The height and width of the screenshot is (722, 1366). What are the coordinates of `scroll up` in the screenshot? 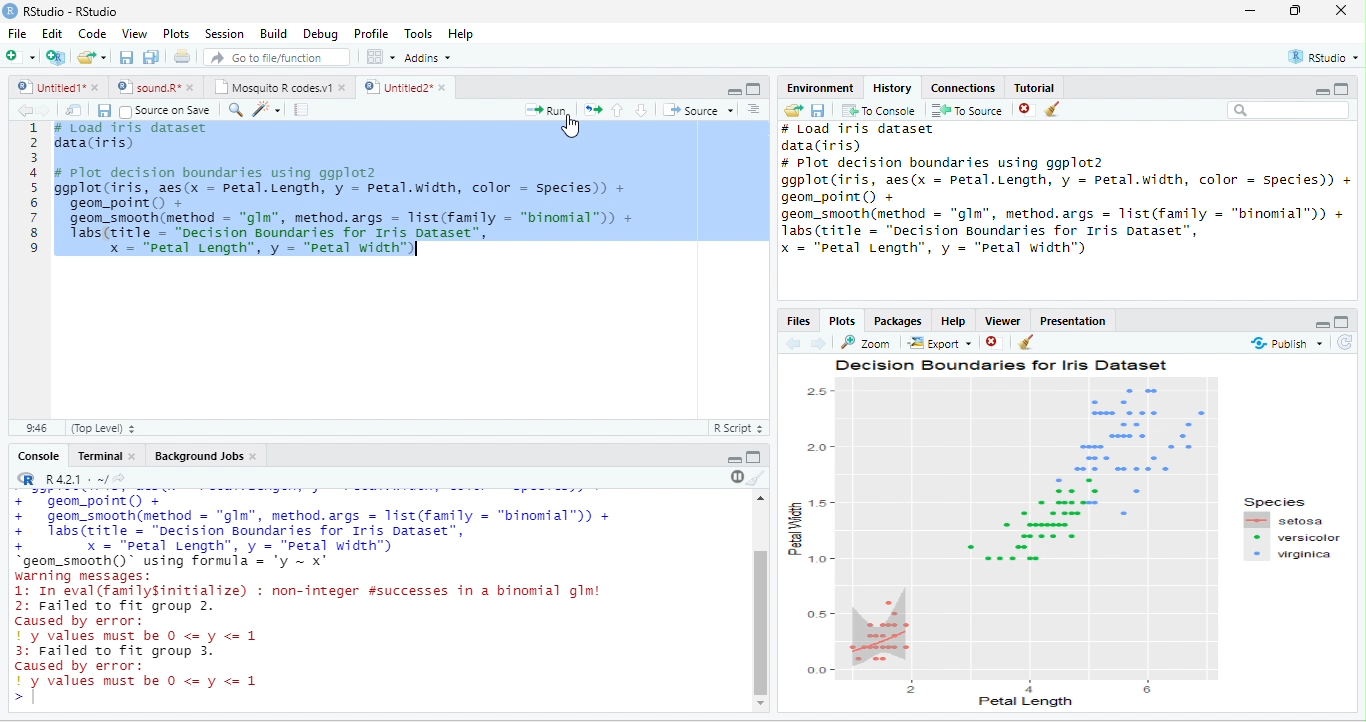 It's located at (761, 498).